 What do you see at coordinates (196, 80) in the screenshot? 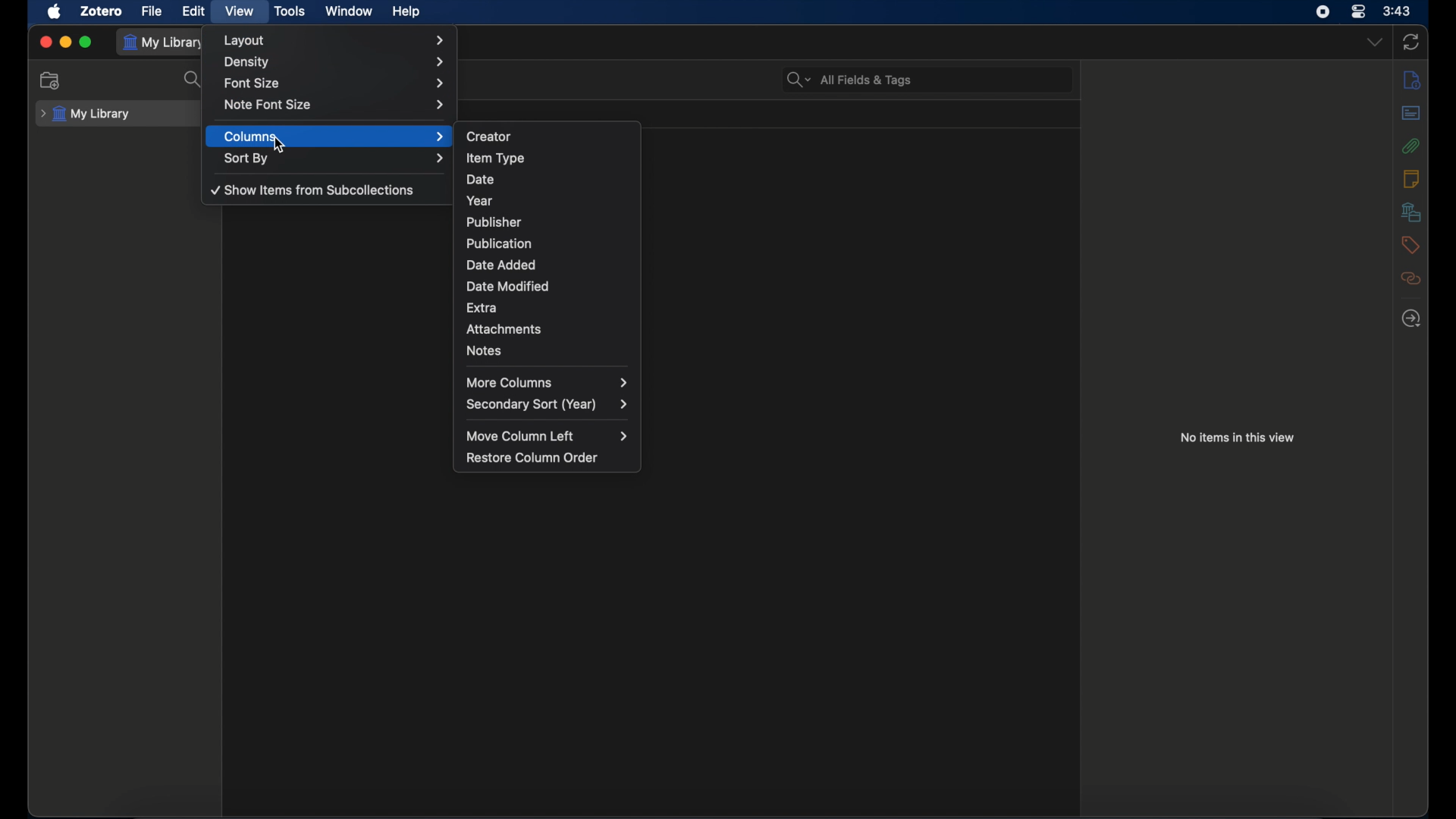
I see `search` at bounding box center [196, 80].